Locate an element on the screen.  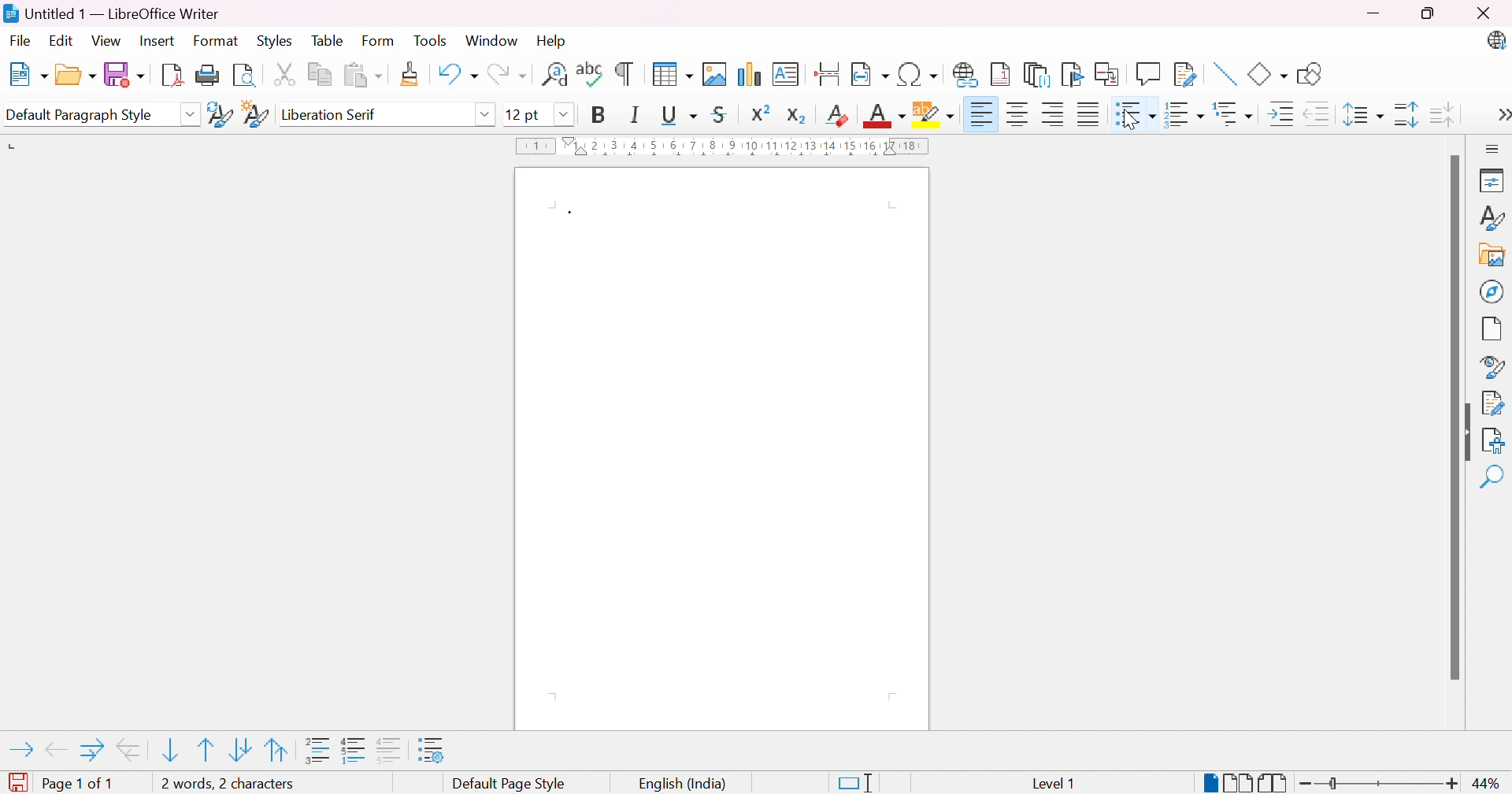
Decrease indent is located at coordinates (1316, 113).